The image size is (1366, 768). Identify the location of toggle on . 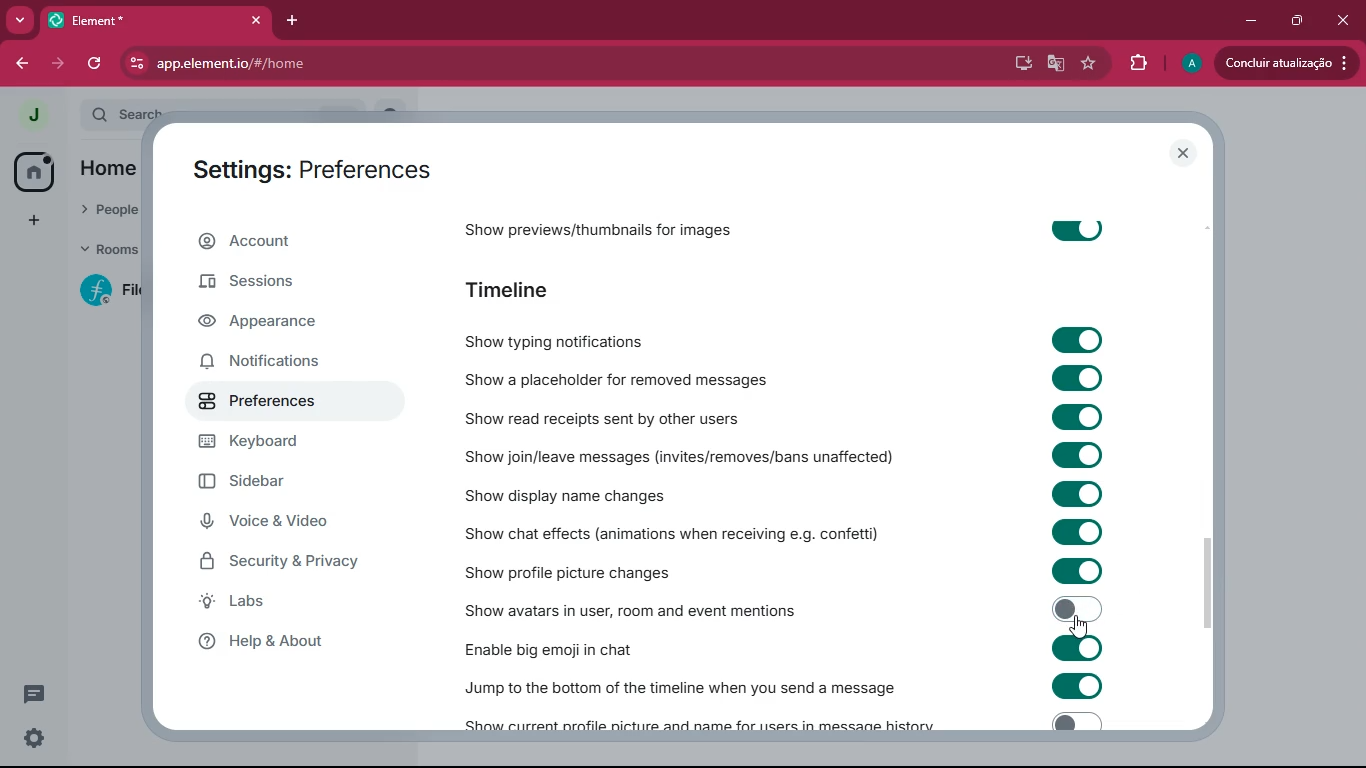
(1077, 417).